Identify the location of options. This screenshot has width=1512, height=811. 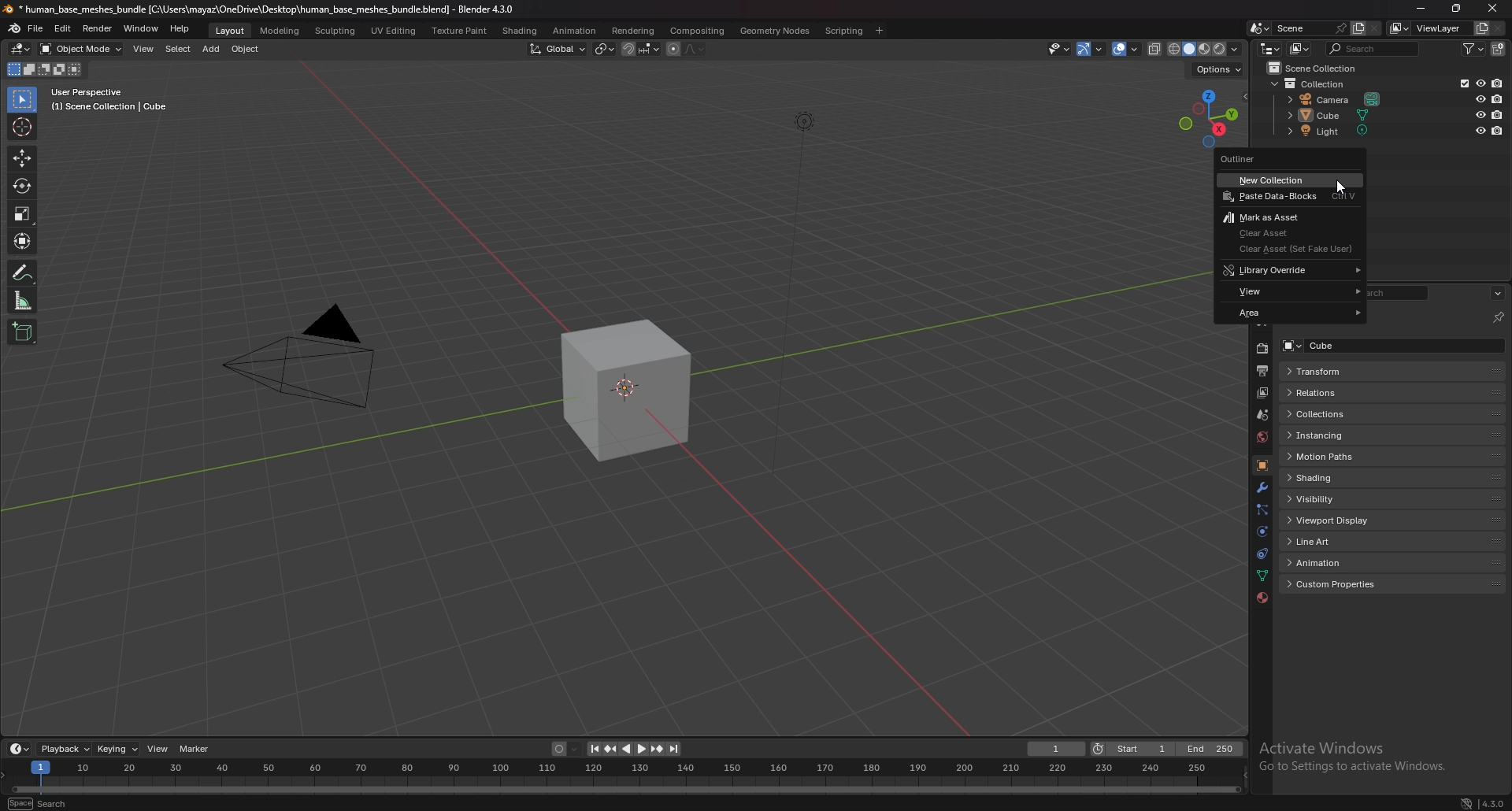
(1218, 68).